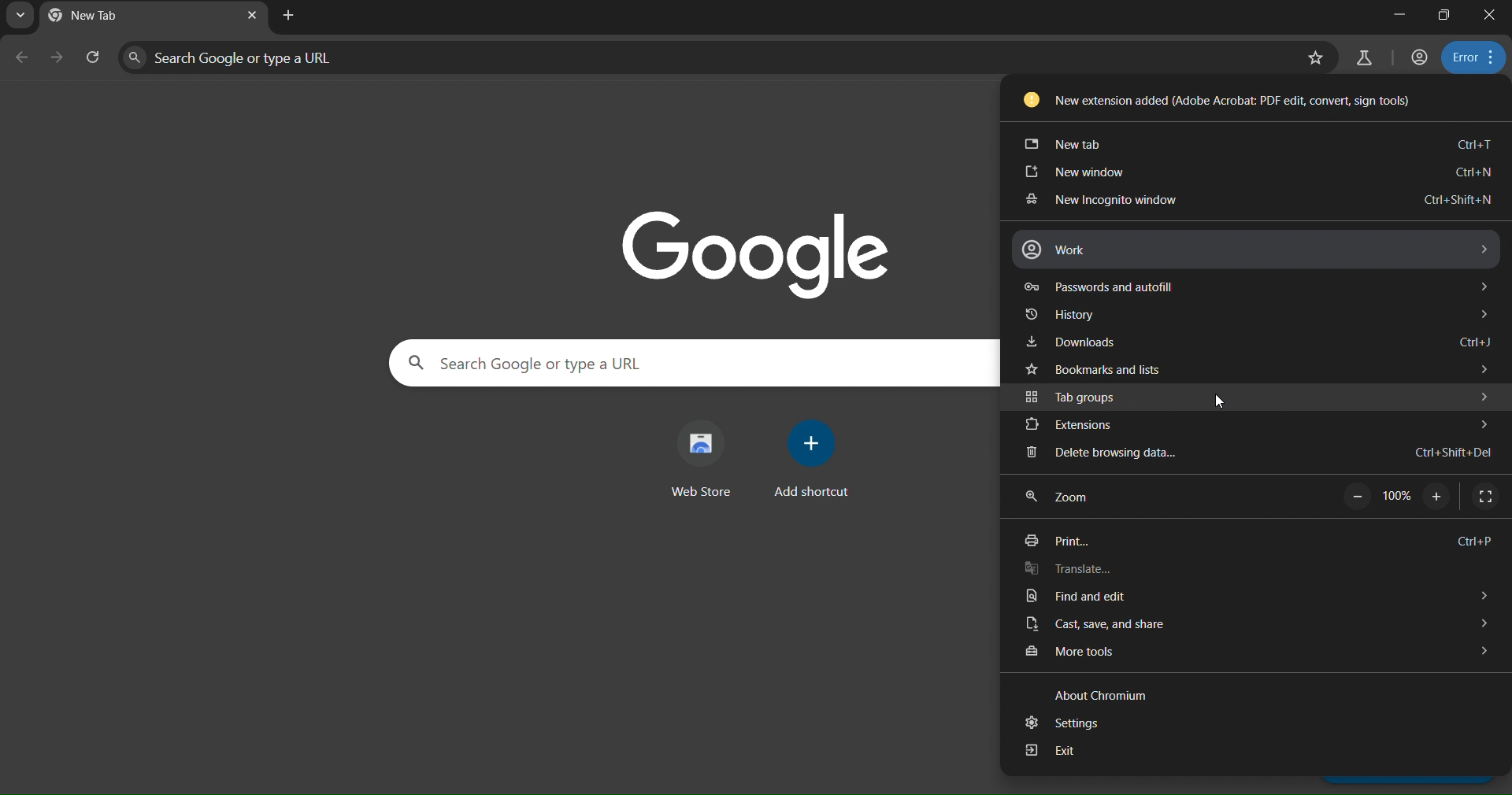 This screenshot has width=1512, height=795. I want to click on close tab, so click(250, 17).